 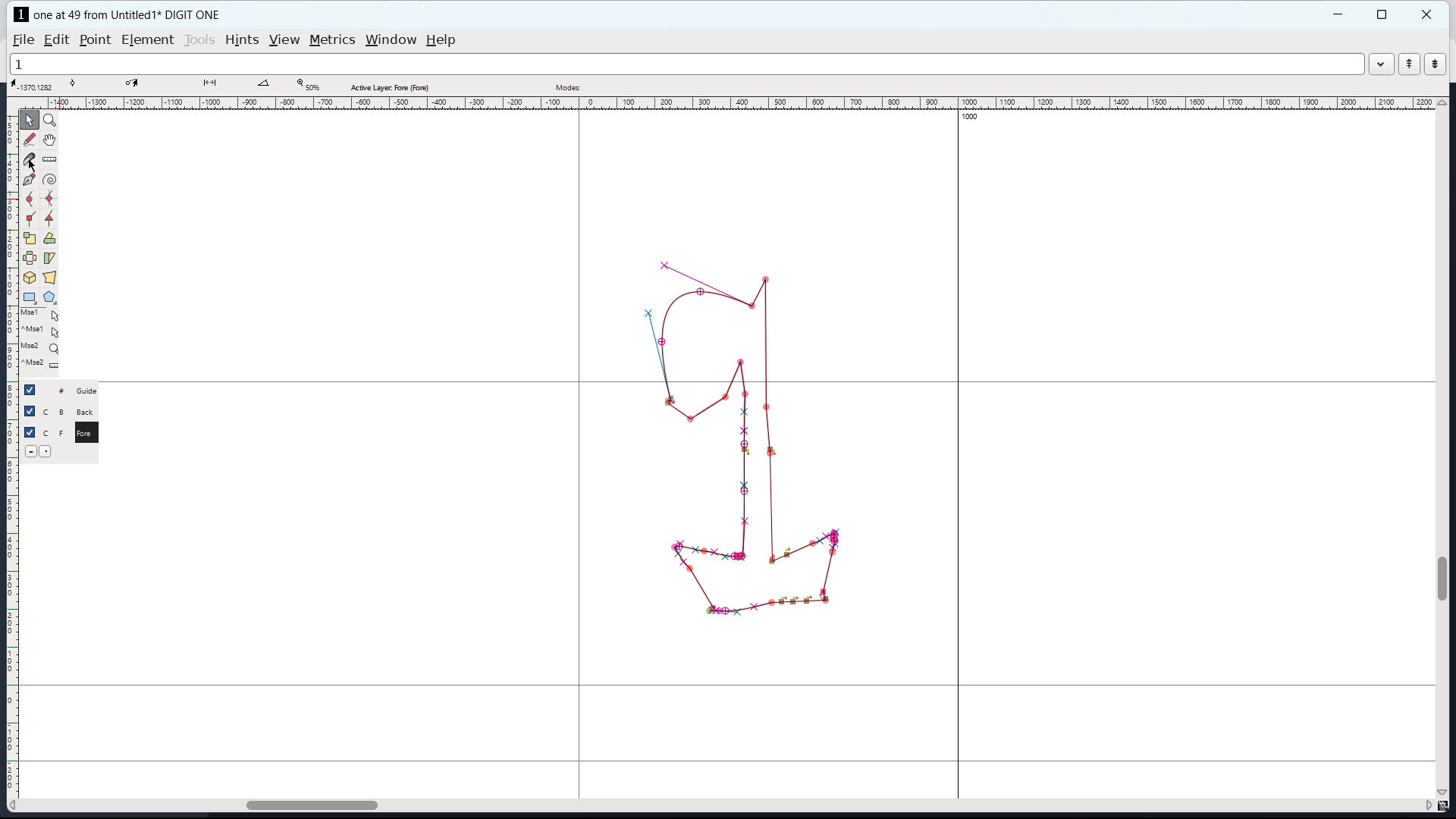 I want to click on maximize, so click(x=1382, y=14).